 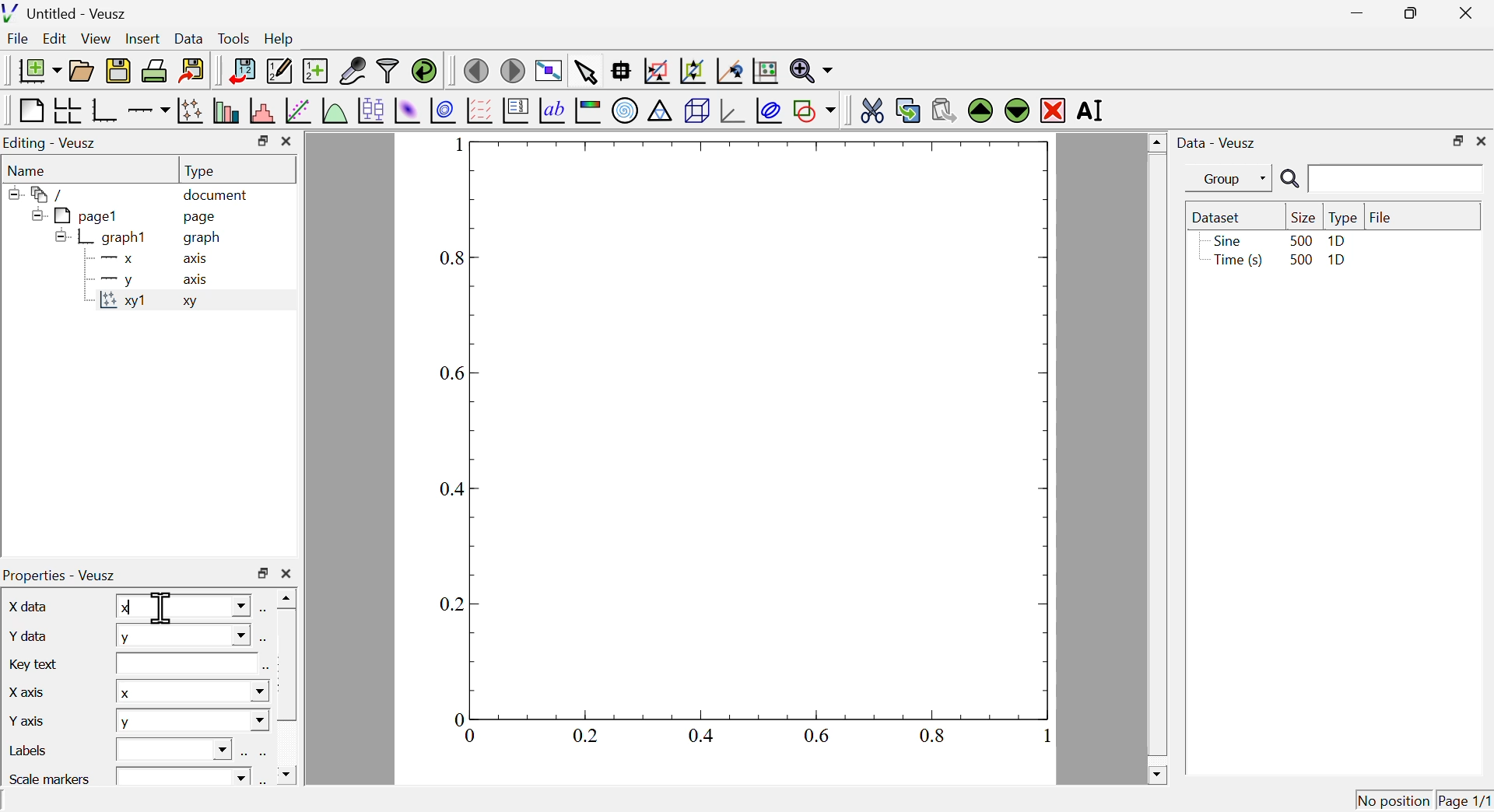 I want to click on 0.4, so click(x=701, y=735).